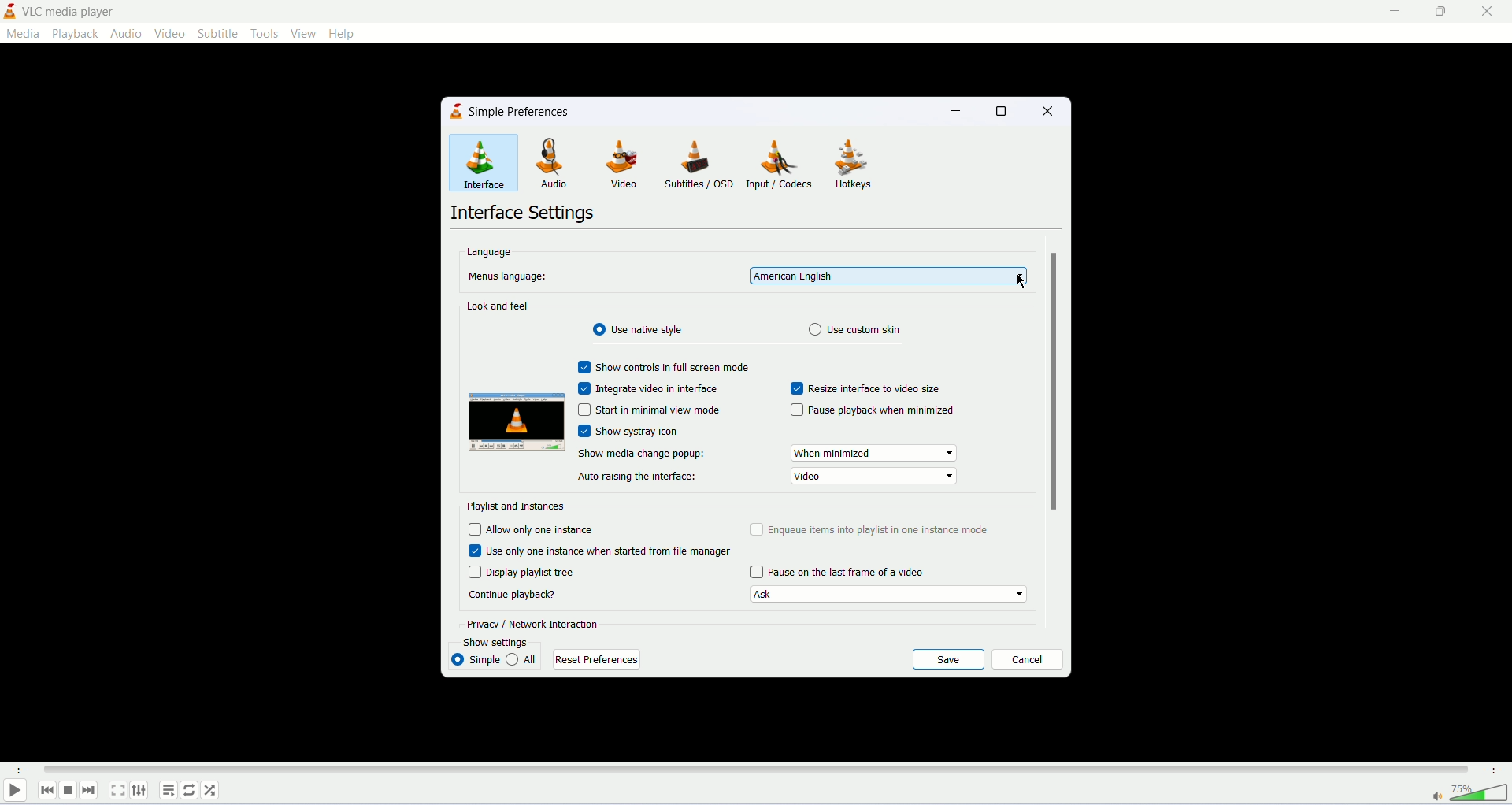  I want to click on maximize, so click(1440, 14).